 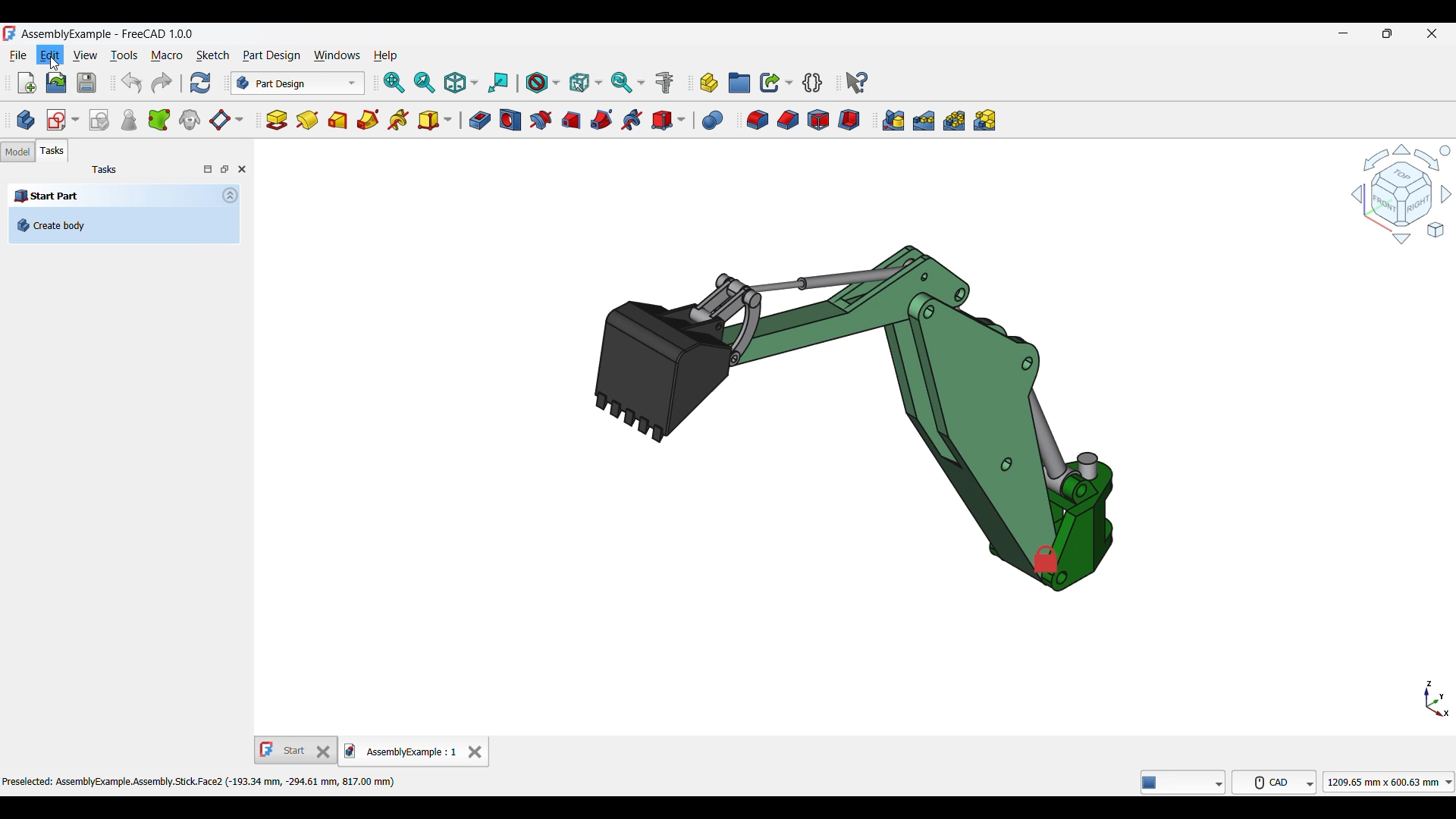 What do you see at coordinates (129, 121) in the screenshot?
I see `Check geometry` at bounding box center [129, 121].